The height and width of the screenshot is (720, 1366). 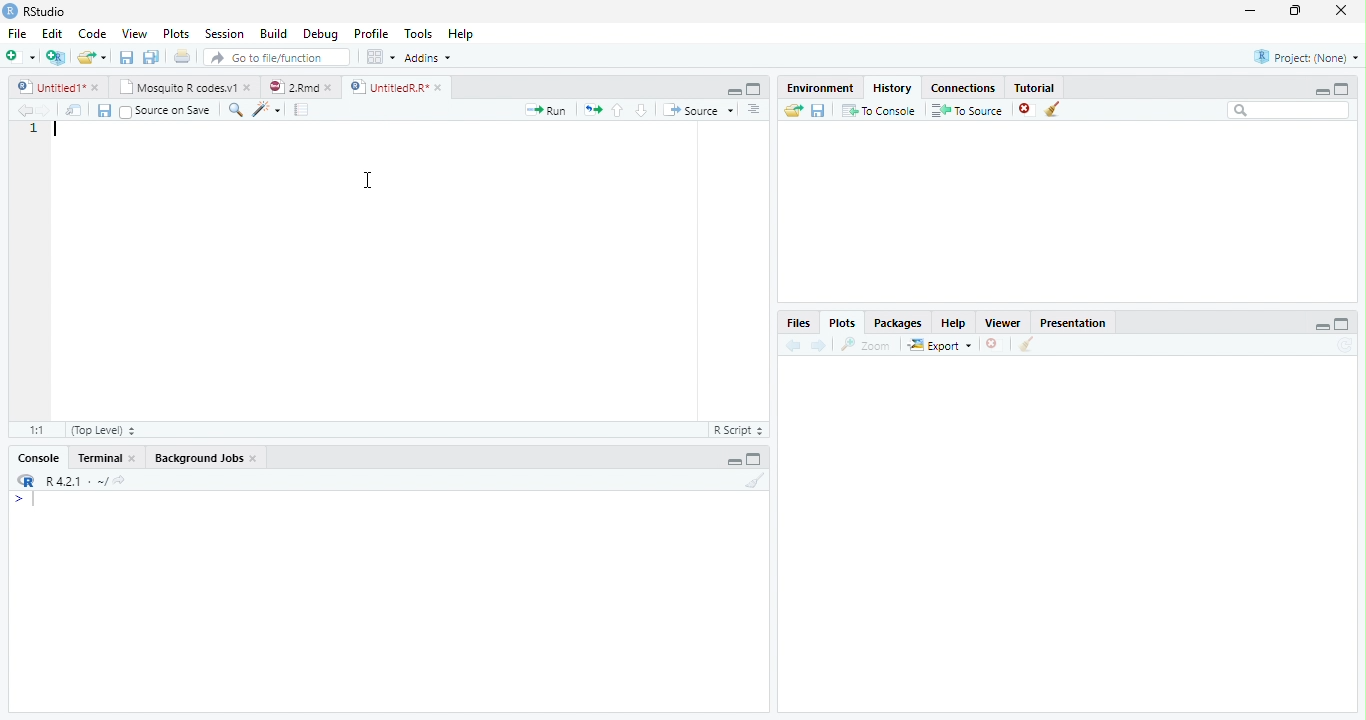 I want to click on Session, so click(x=225, y=34).